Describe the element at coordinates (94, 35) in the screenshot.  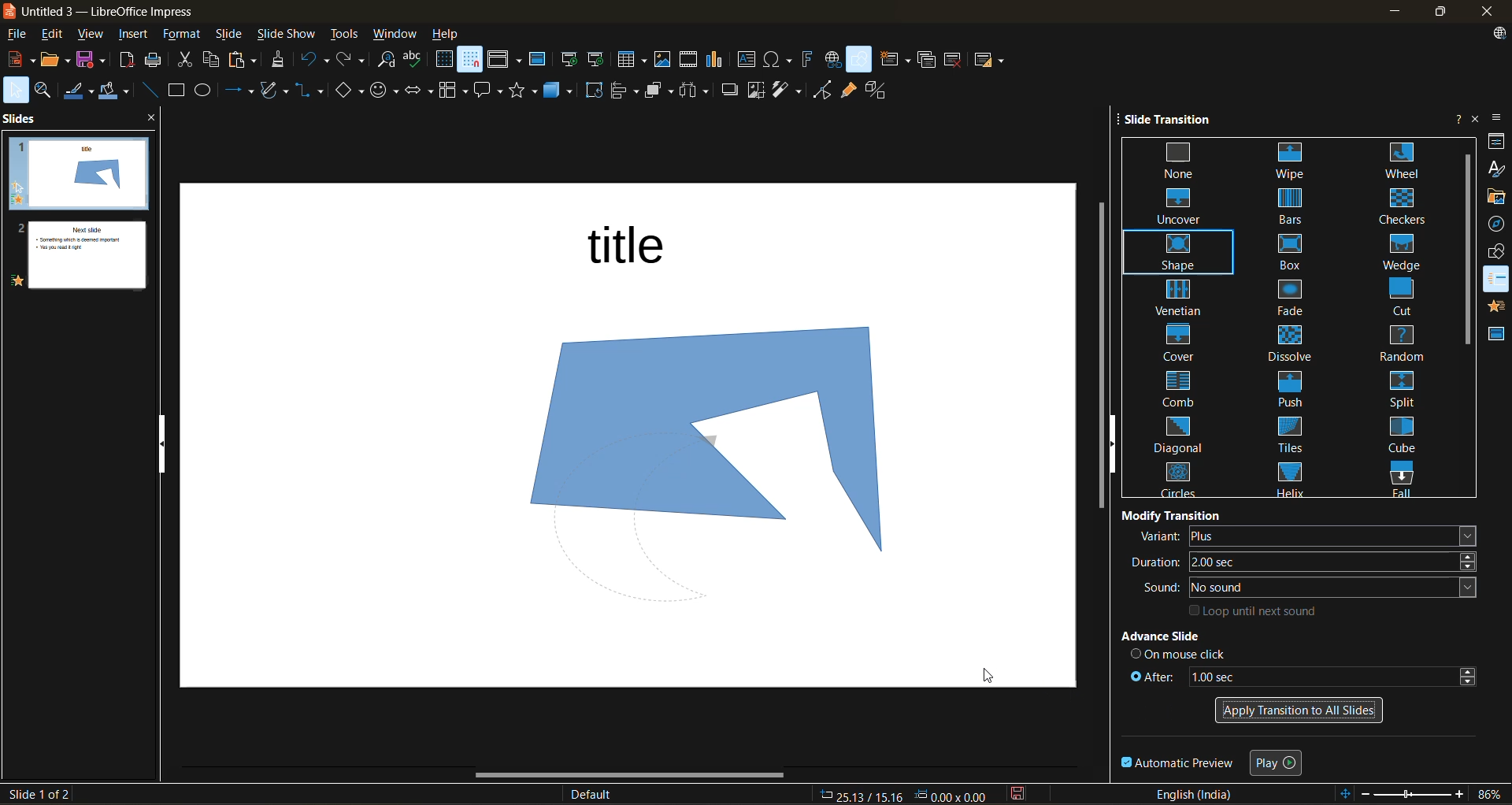
I see `view` at that location.